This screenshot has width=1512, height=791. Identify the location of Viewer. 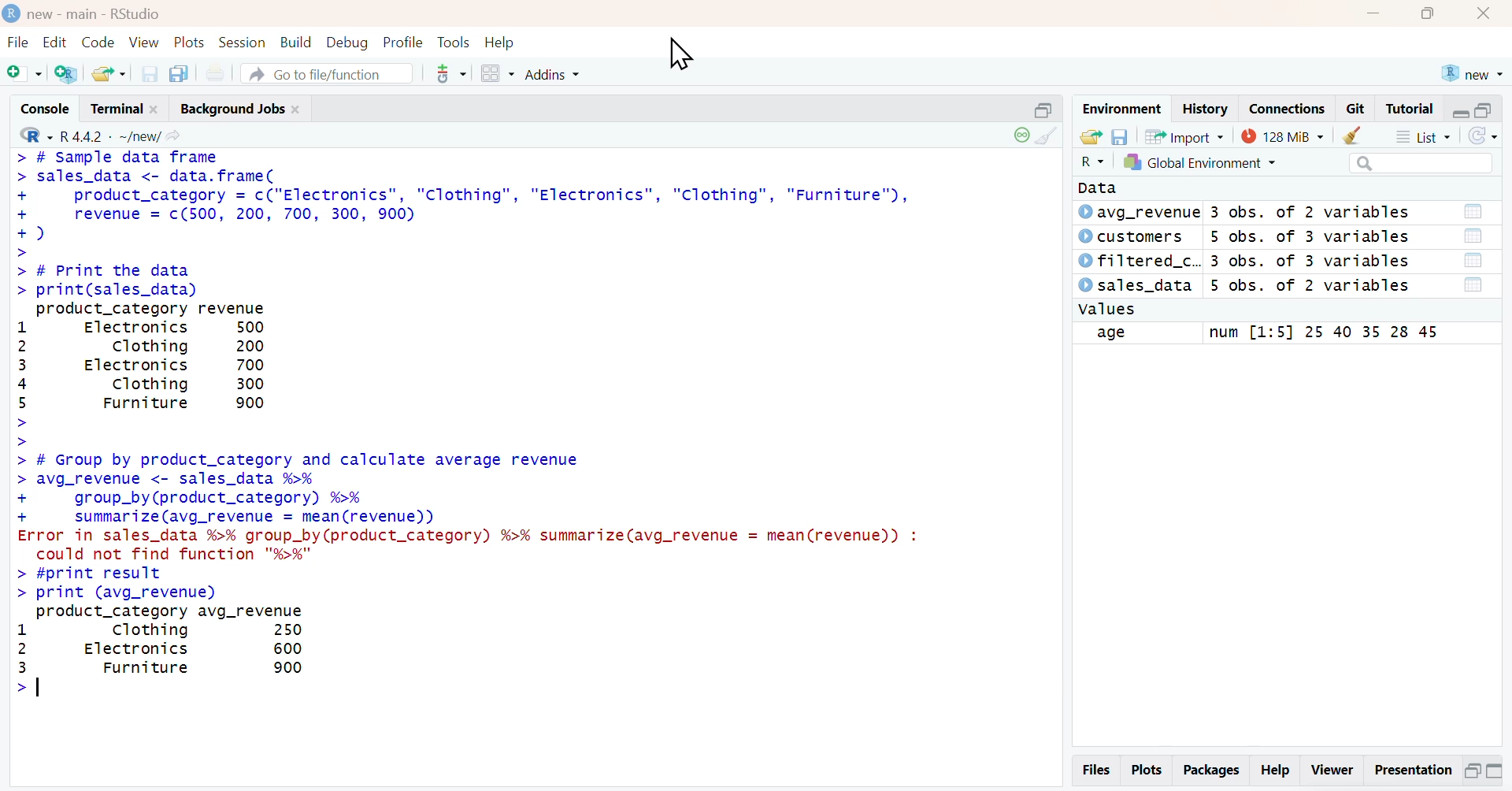
(1333, 773).